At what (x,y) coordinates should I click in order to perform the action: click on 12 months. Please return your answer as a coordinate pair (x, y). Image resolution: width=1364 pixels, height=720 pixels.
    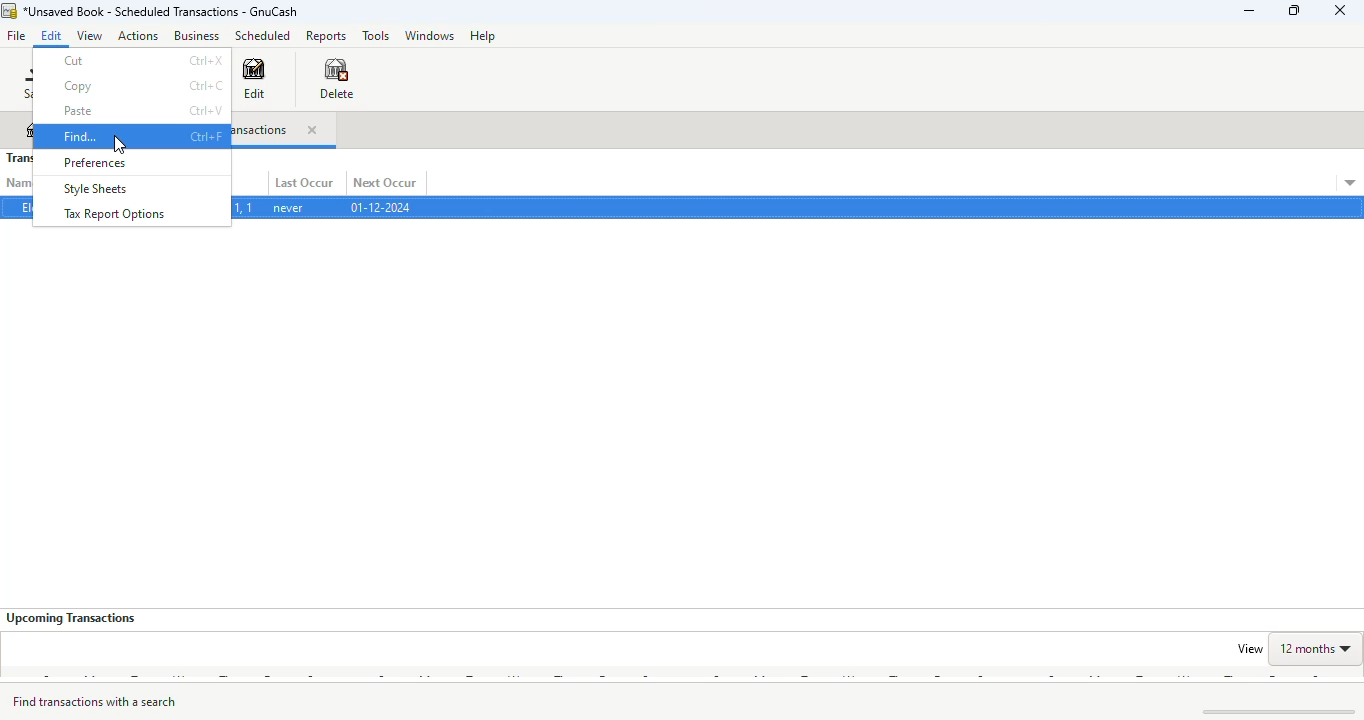
    Looking at the image, I should click on (1316, 648).